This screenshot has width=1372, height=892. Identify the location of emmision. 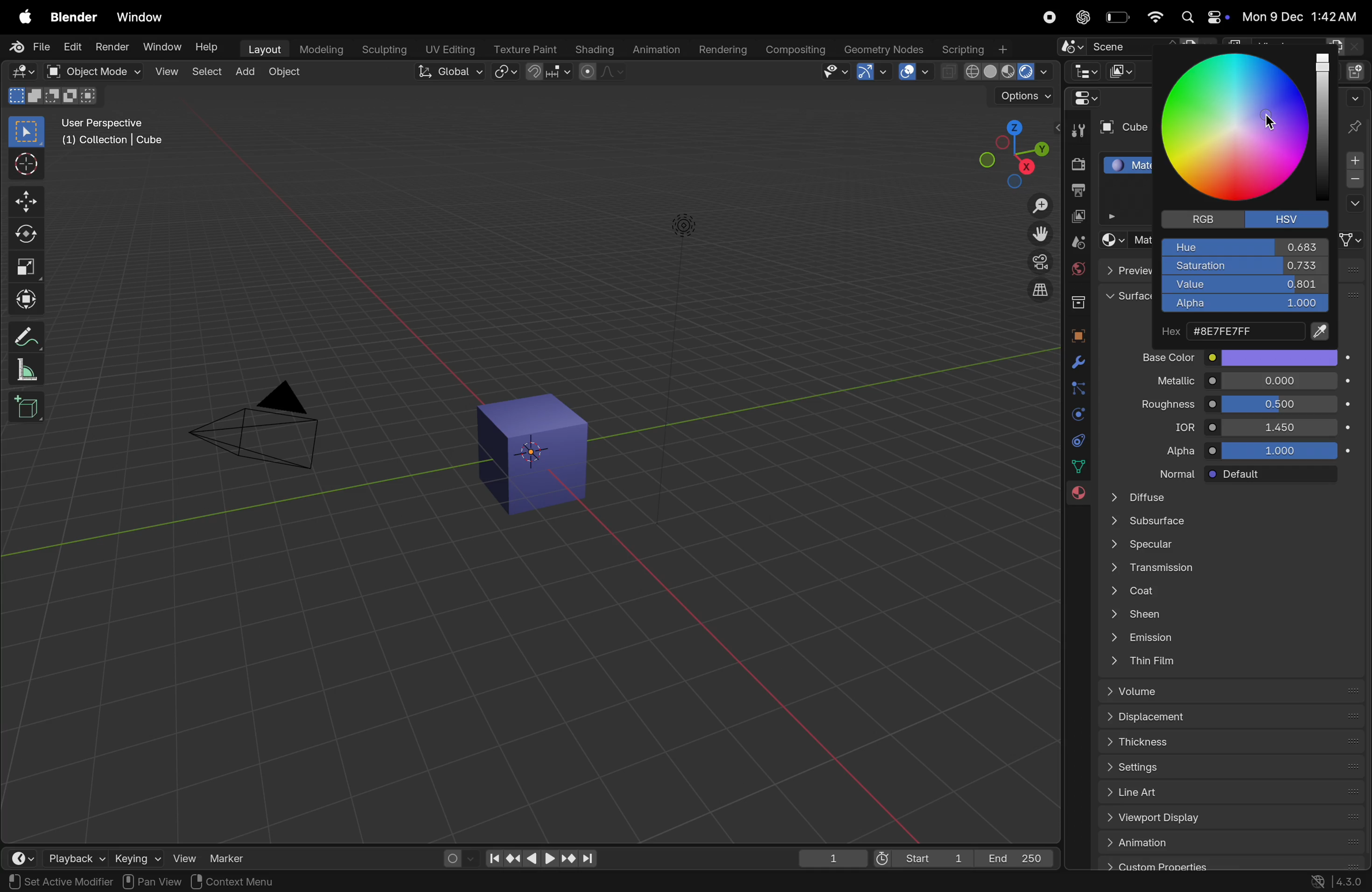
(1227, 640).